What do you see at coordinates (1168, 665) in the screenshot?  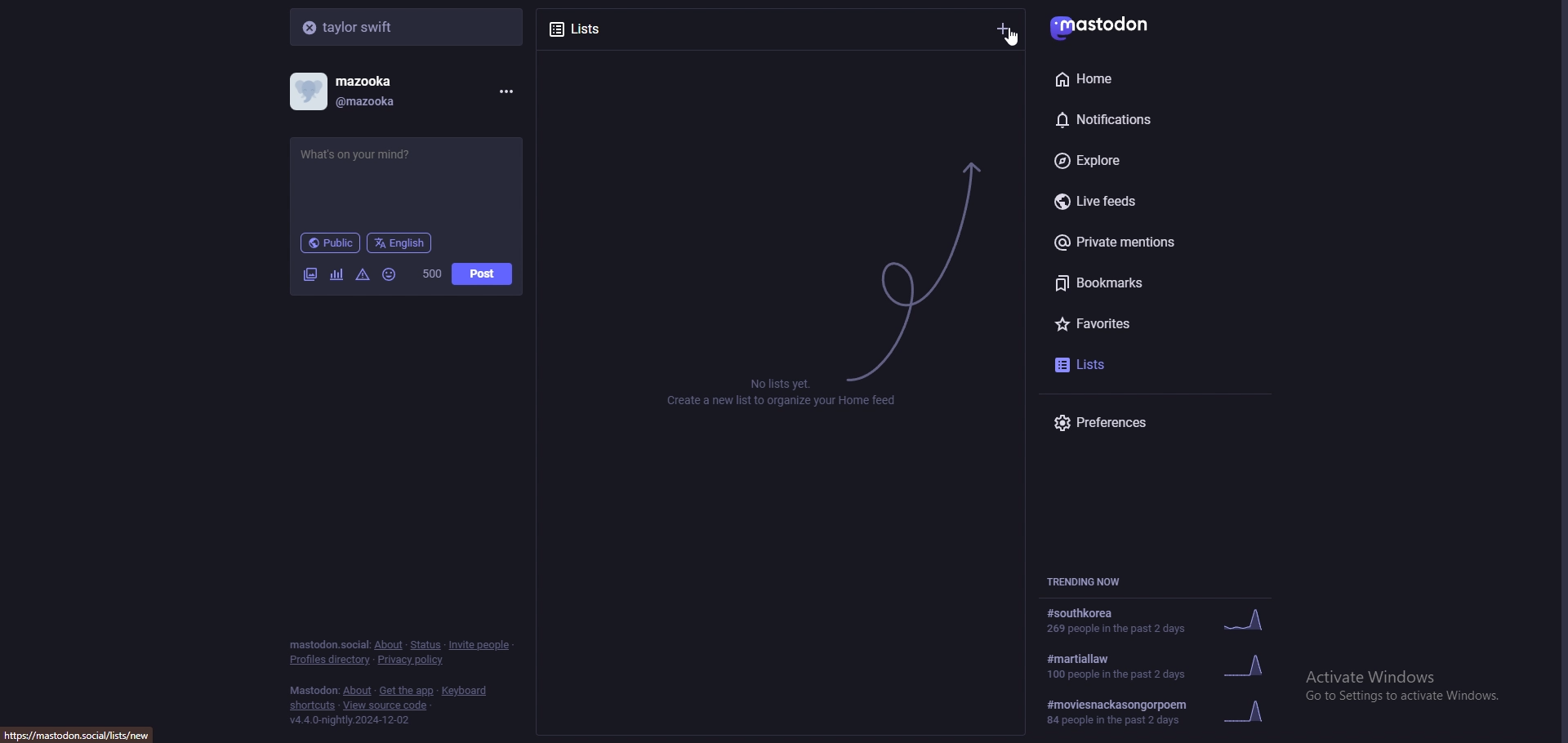 I see `trending` at bounding box center [1168, 665].